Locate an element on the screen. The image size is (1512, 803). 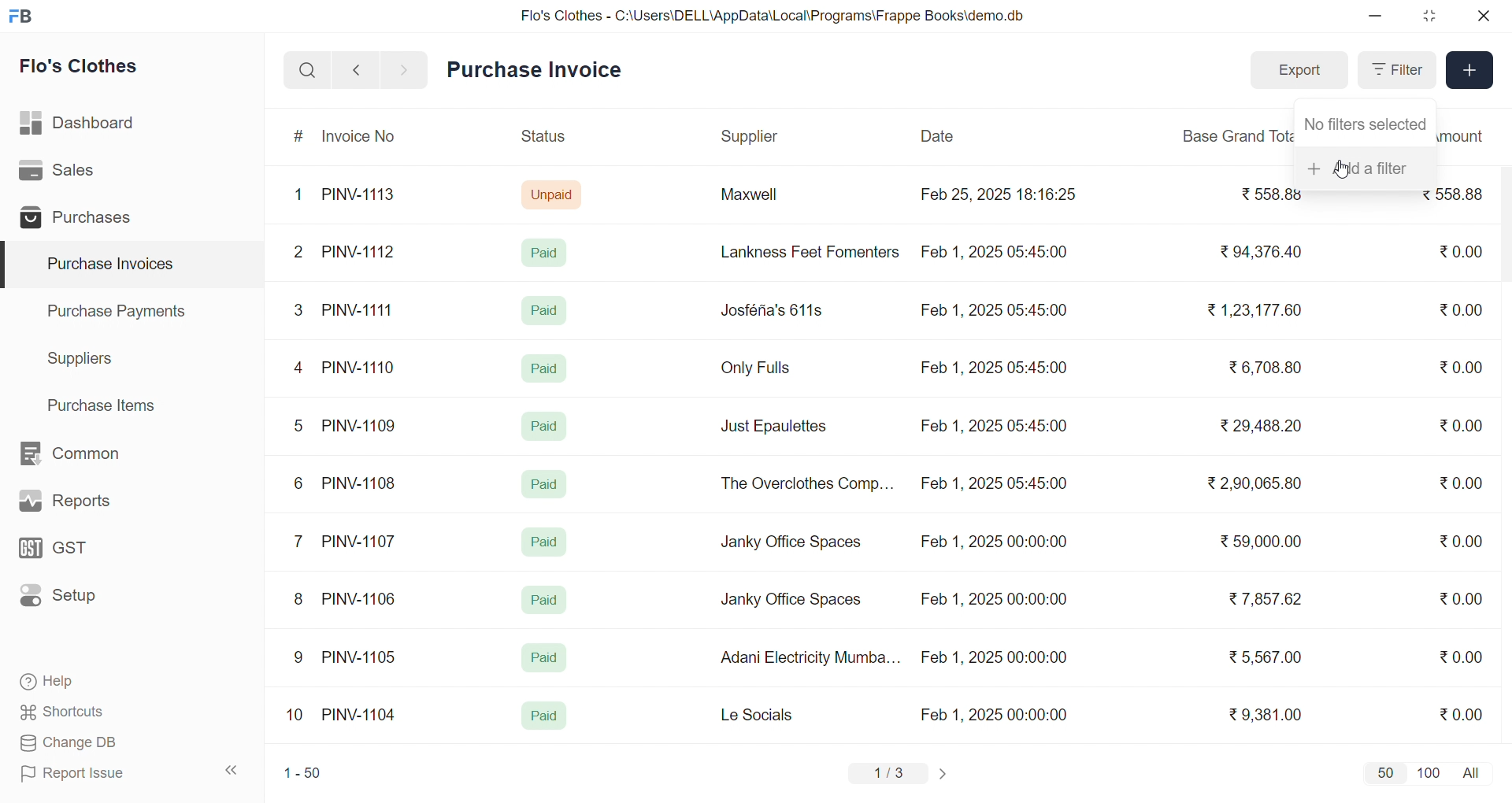
₹29,488.20 is located at coordinates (1256, 426).